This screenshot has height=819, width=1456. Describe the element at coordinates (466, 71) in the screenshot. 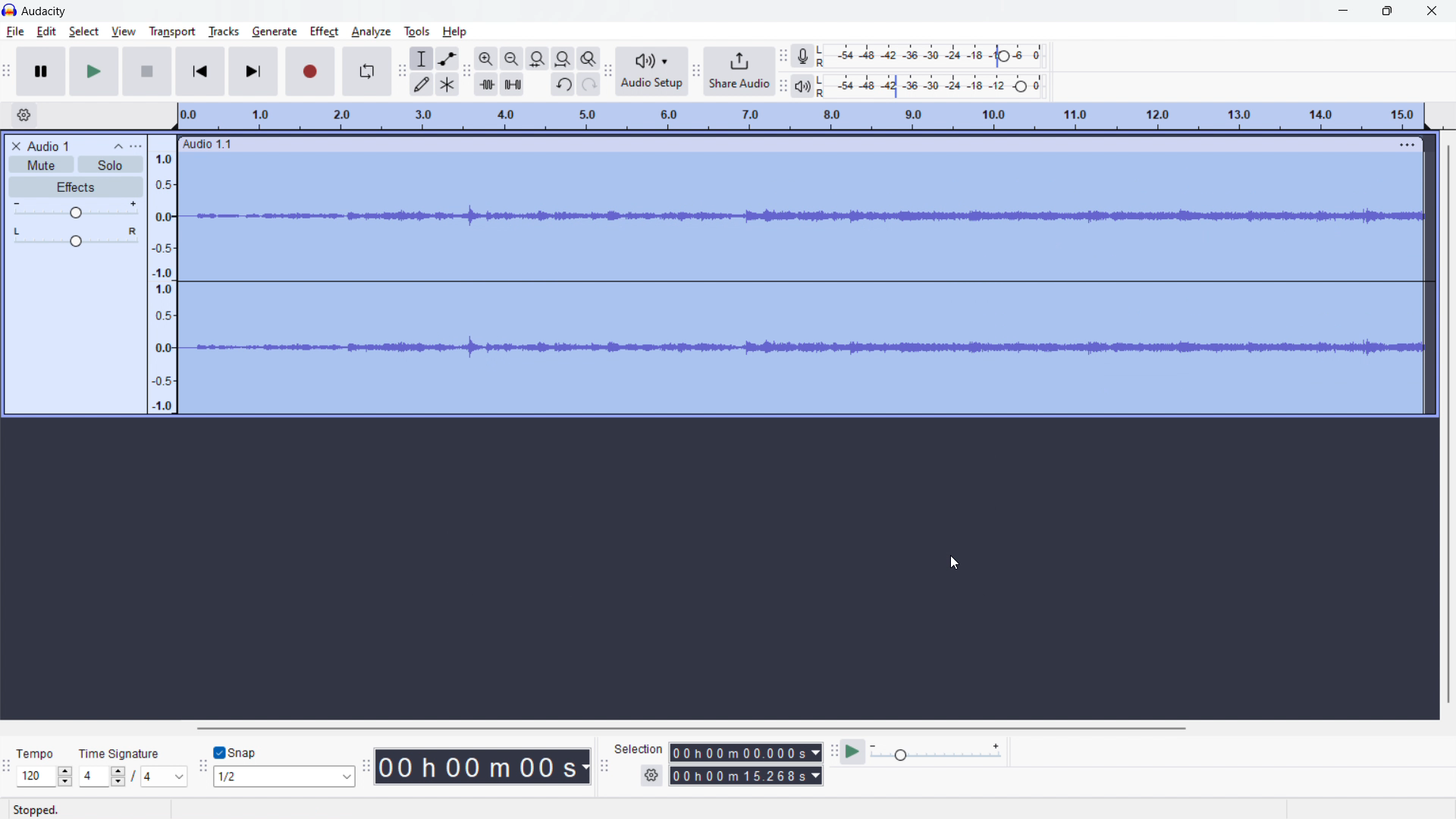

I see `edit toolbar` at that location.